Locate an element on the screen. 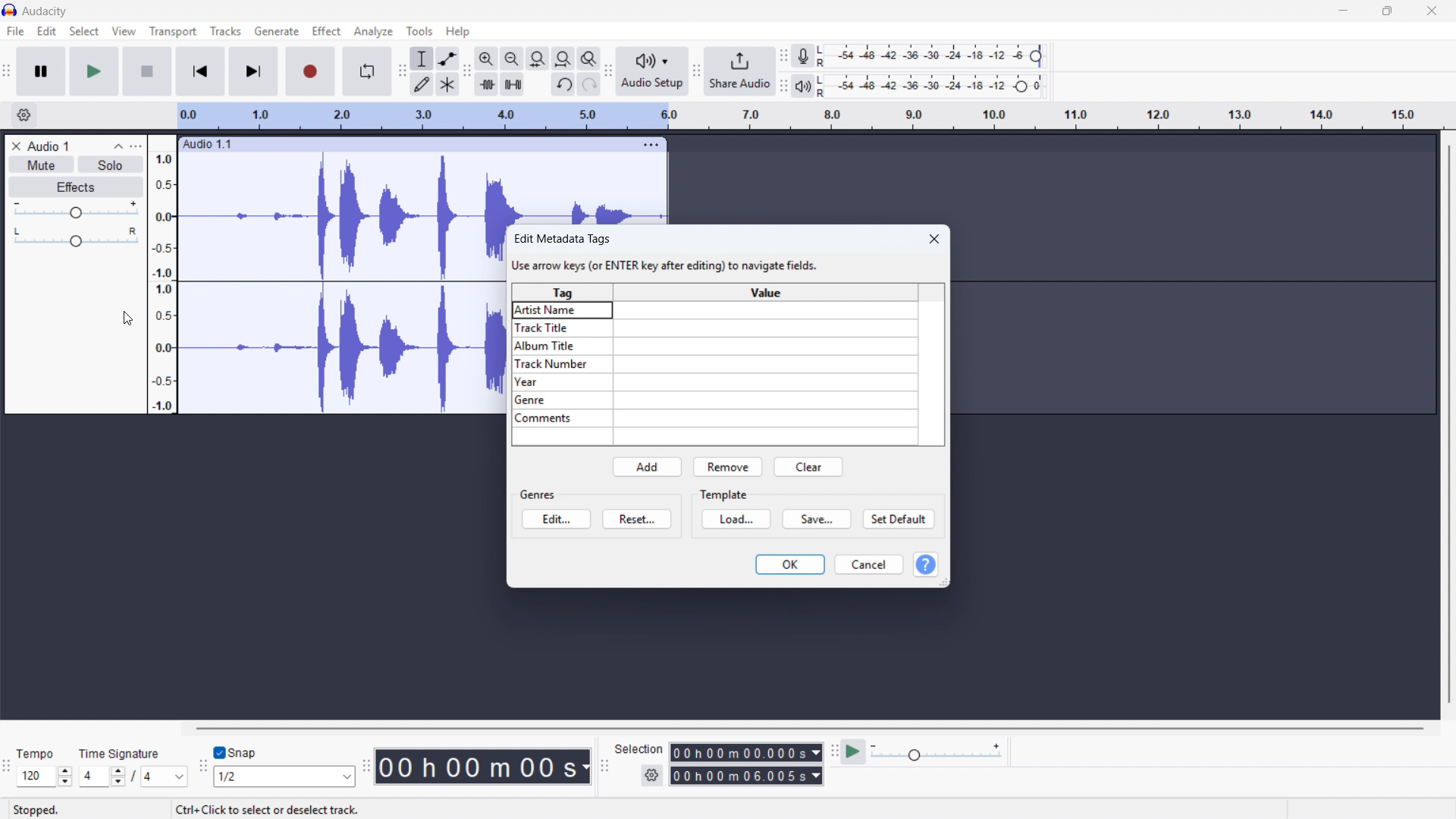 The height and width of the screenshot is (819, 1456). fit selection to width is located at coordinates (538, 58).